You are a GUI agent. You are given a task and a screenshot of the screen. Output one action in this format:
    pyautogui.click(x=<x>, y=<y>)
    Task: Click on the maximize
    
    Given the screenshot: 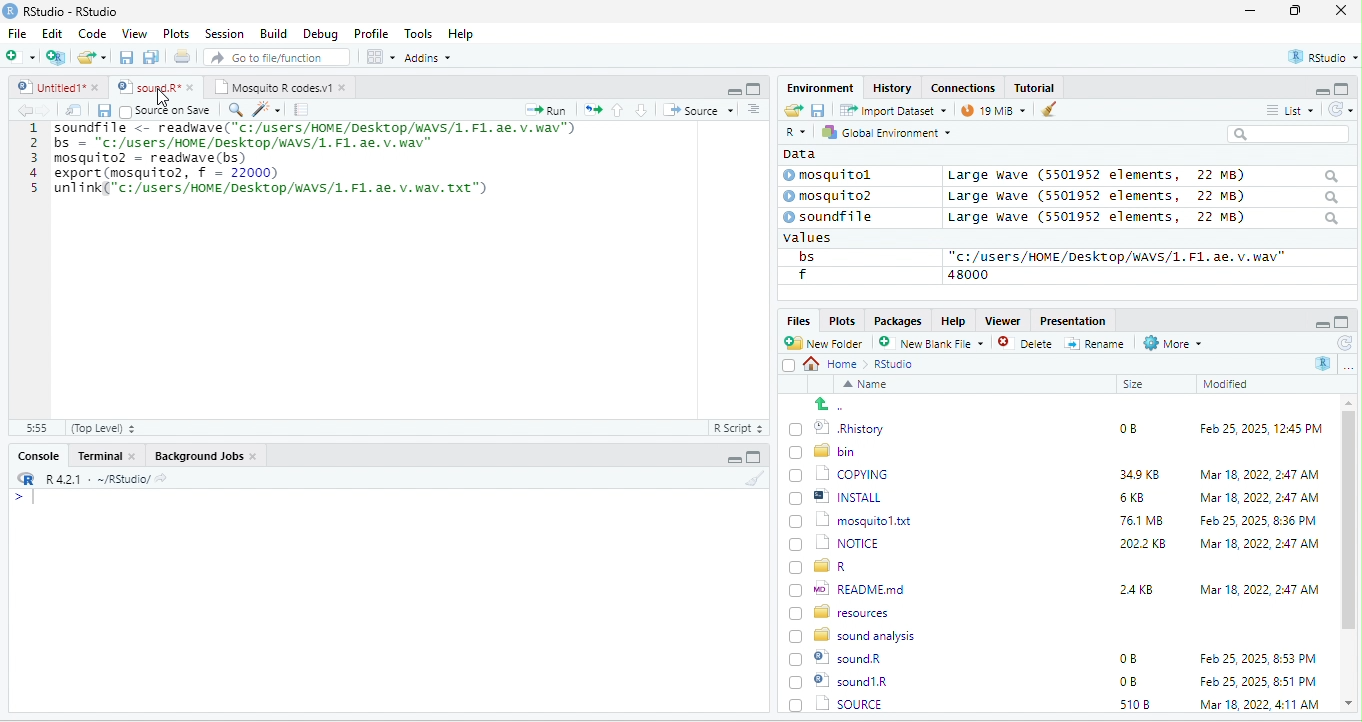 What is the action you would take?
    pyautogui.click(x=1344, y=88)
    